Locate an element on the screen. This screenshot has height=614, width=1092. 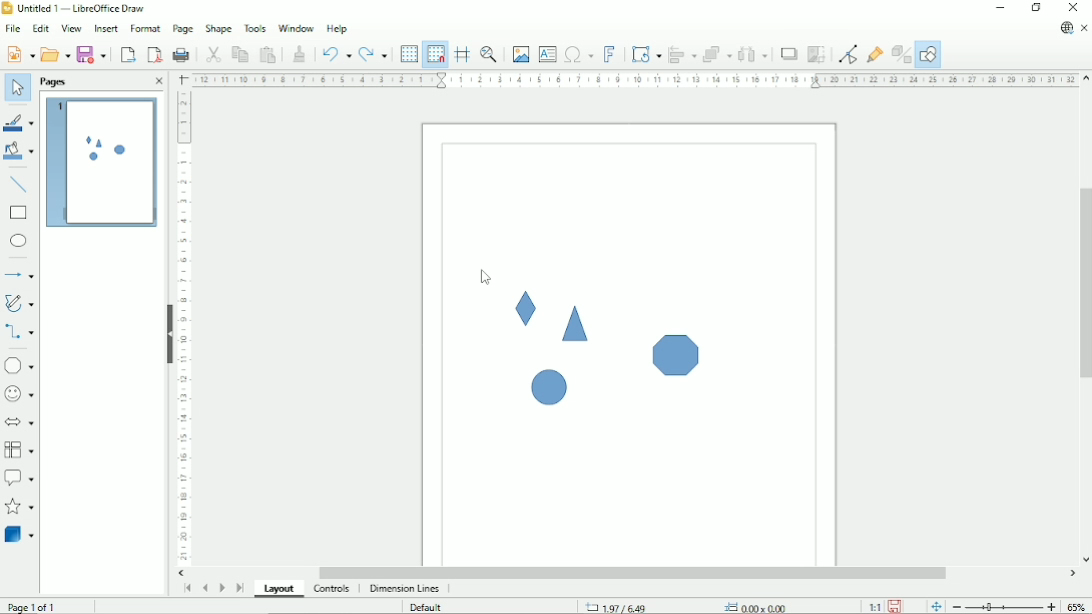
Shape is located at coordinates (675, 355).